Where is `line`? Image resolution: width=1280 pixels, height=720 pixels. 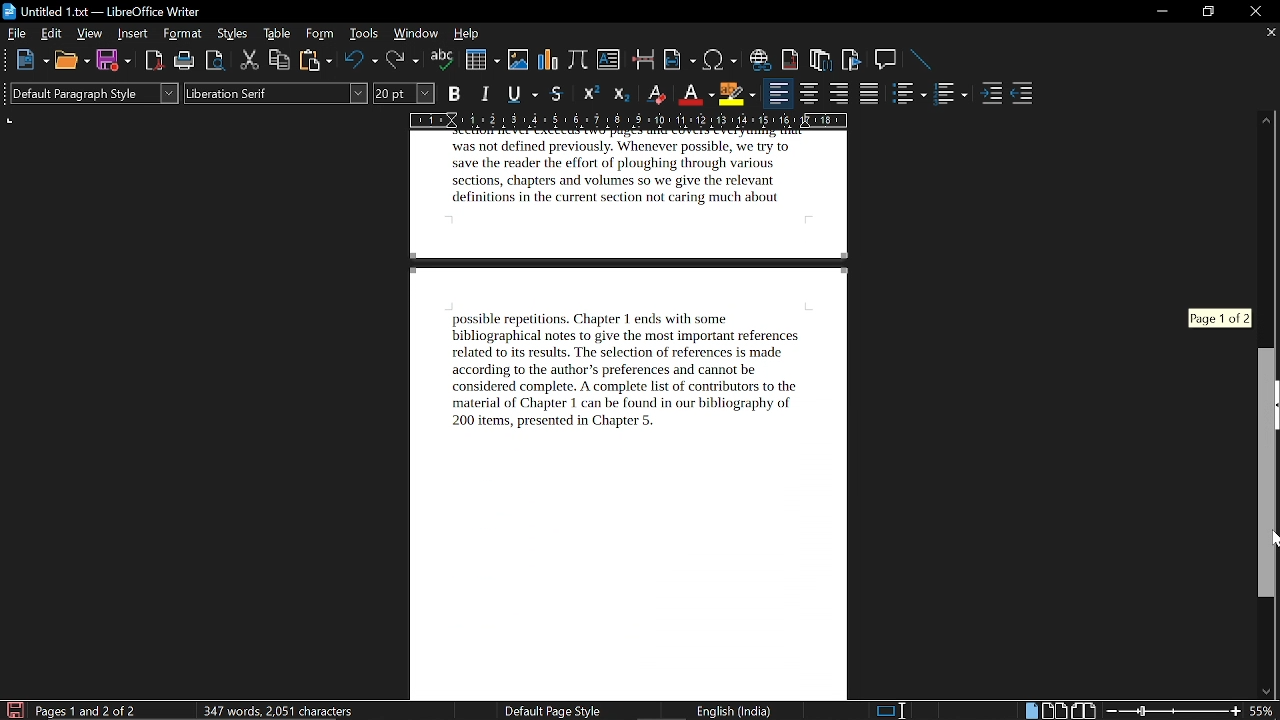 line is located at coordinates (922, 60).